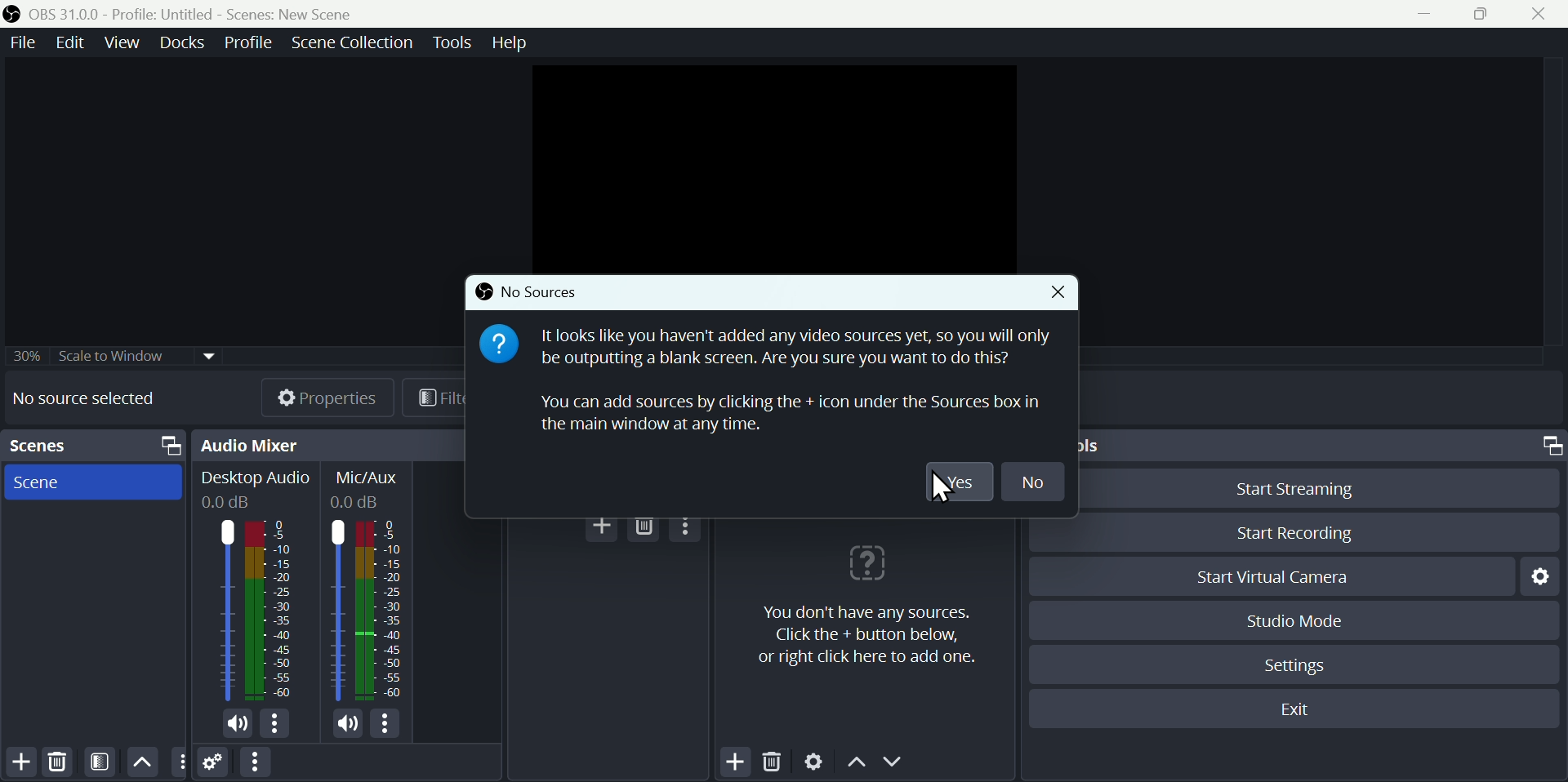 Image resolution: width=1568 pixels, height=782 pixels. I want to click on 30% Scale to Window , so click(109, 357).